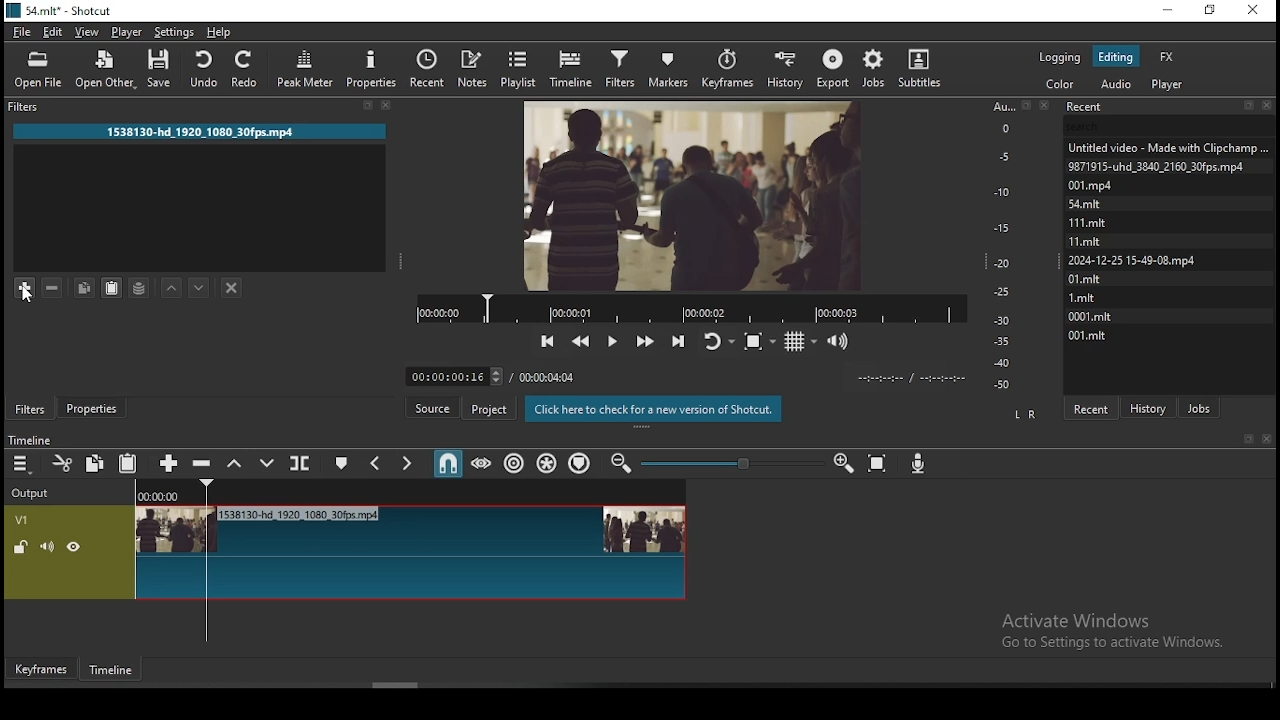  What do you see at coordinates (646, 338) in the screenshot?
I see `play quickly forwards` at bounding box center [646, 338].